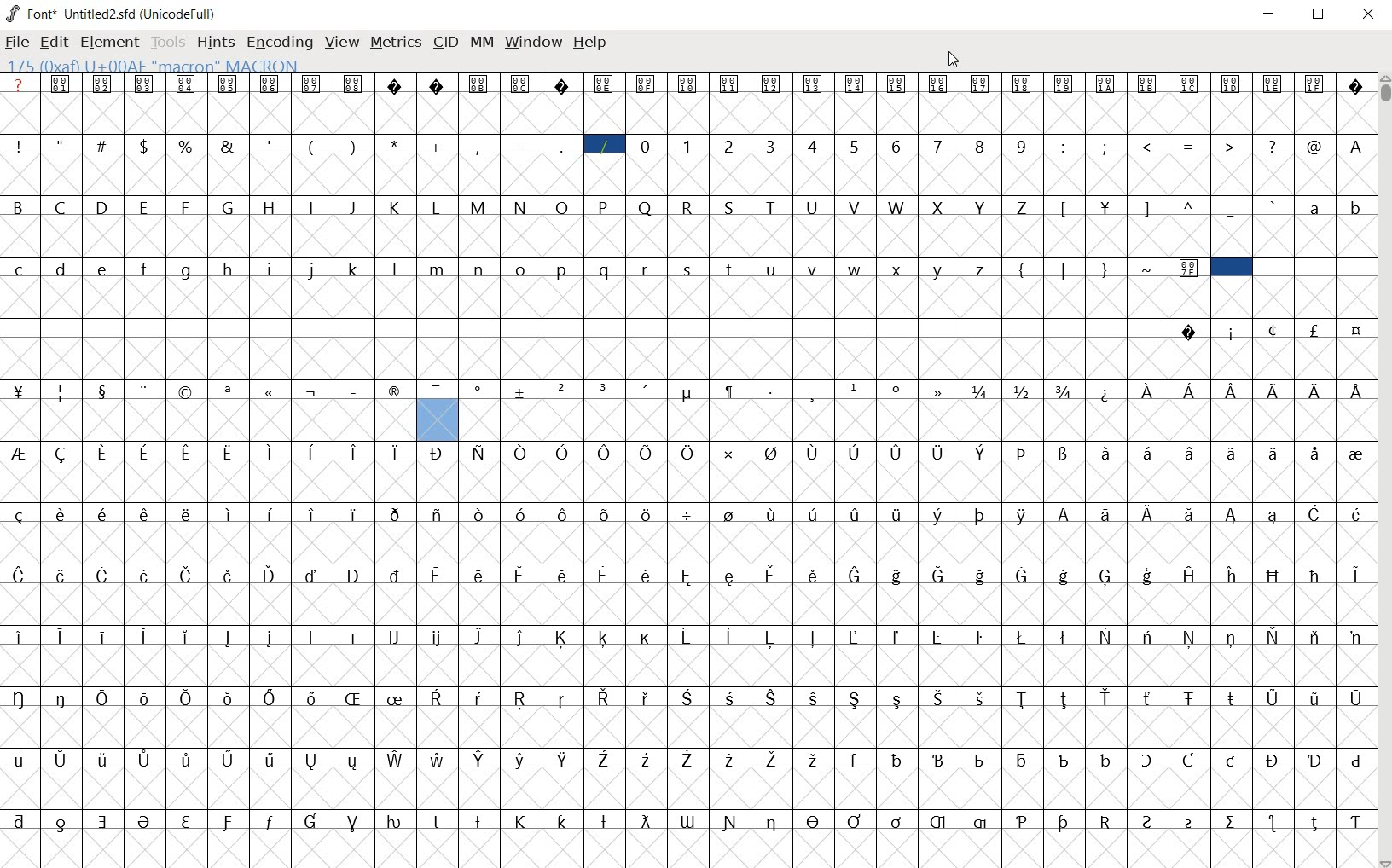 Image resolution: width=1392 pixels, height=868 pixels. I want to click on V, so click(859, 206).